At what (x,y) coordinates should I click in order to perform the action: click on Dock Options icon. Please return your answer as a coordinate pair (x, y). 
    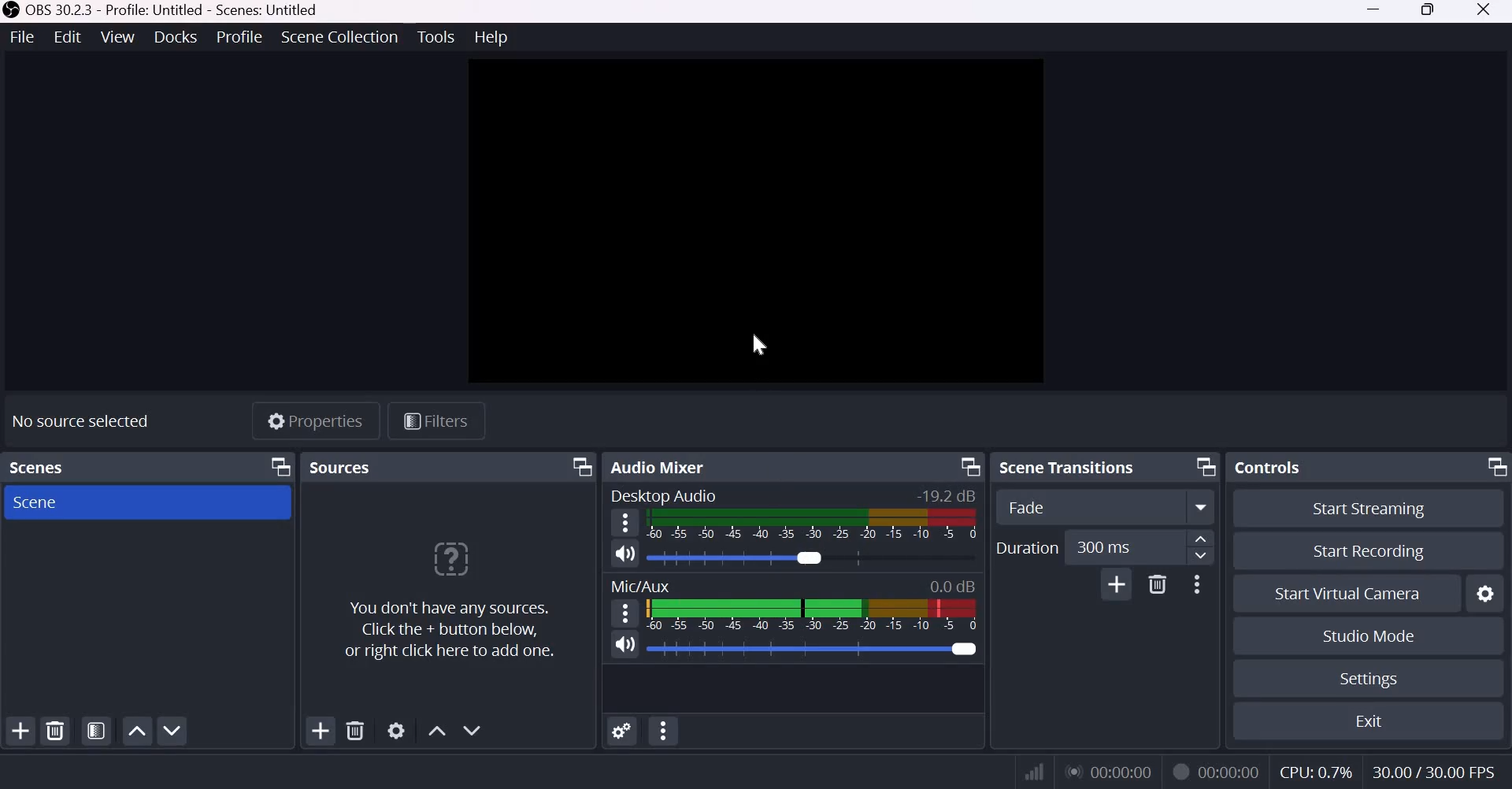
    Looking at the image, I should click on (282, 467).